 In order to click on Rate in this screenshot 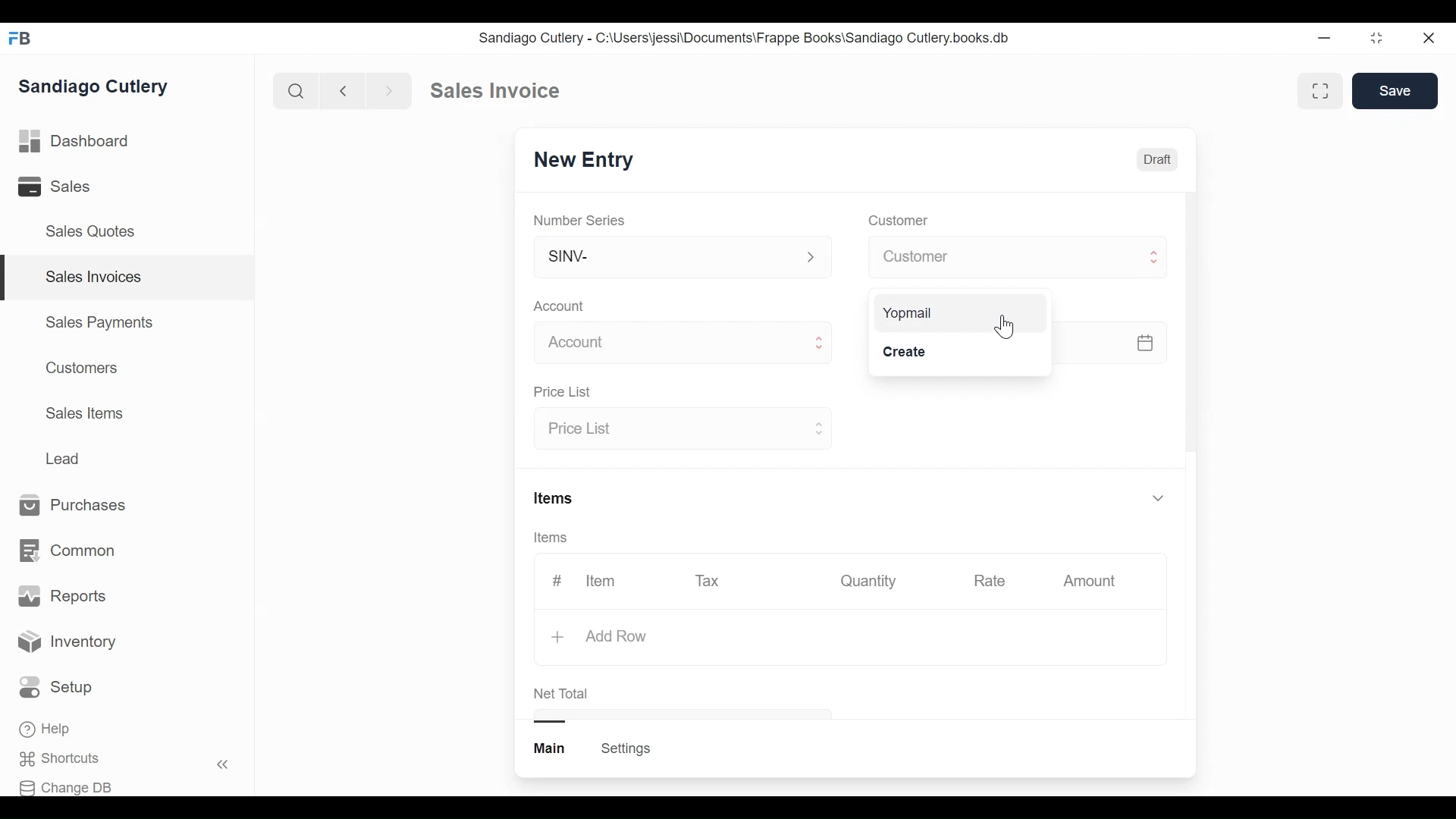, I will do `click(988, 581)`.